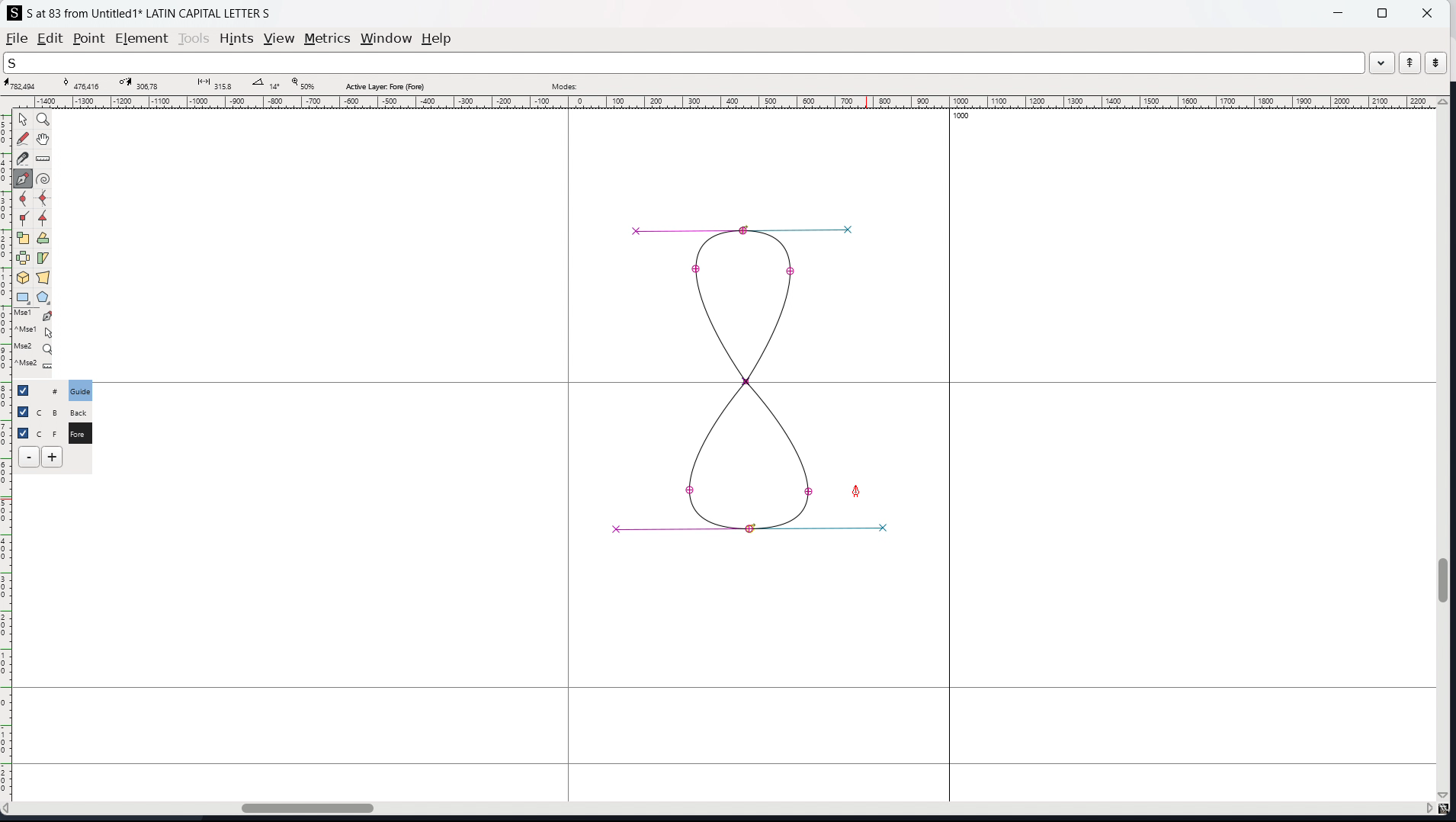  What do you see at coordinates (564, 85) in the screenshot?
I see `modes` at bounding box center [564, 85].